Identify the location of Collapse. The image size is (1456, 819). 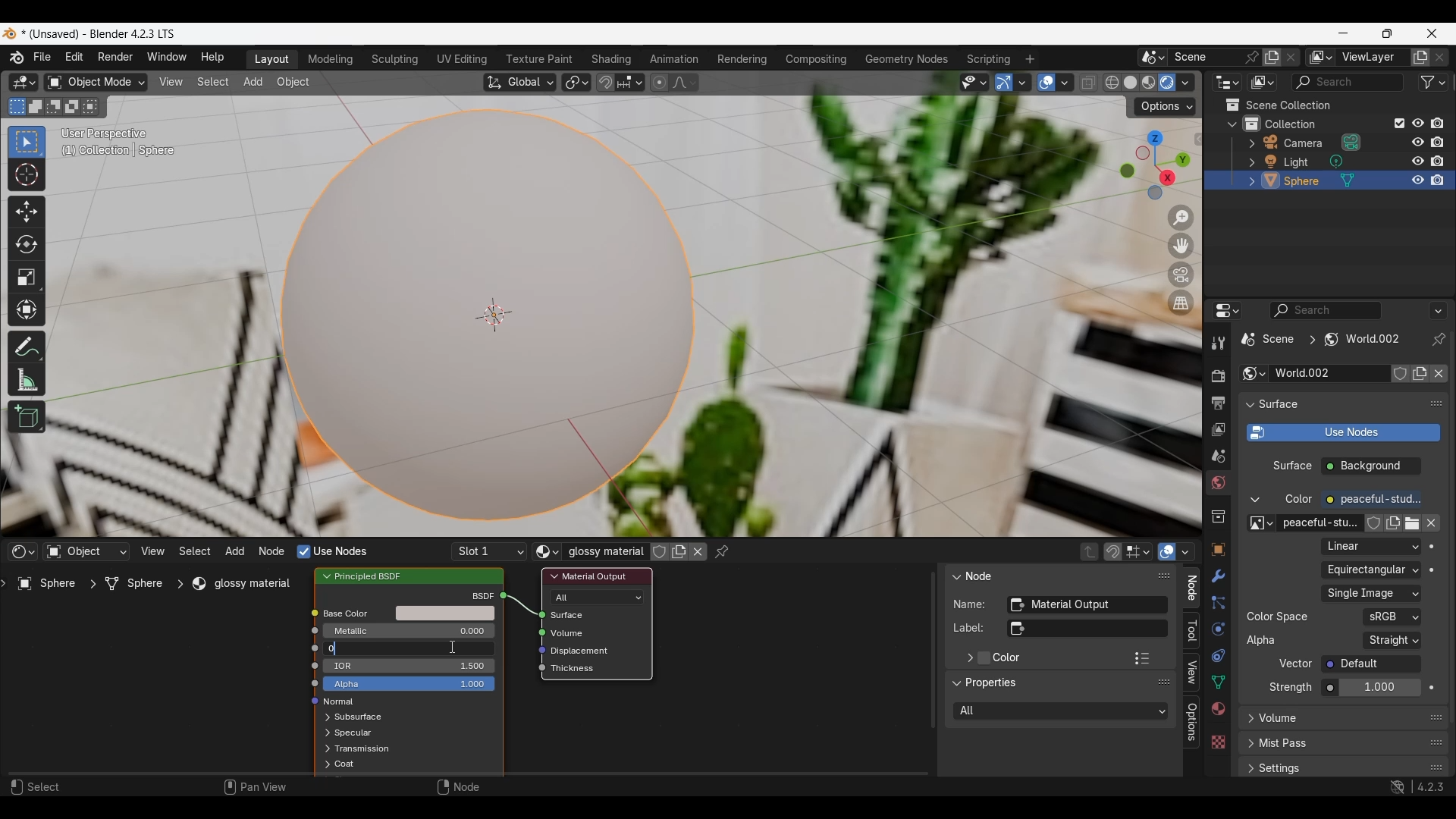
(1255, 500).